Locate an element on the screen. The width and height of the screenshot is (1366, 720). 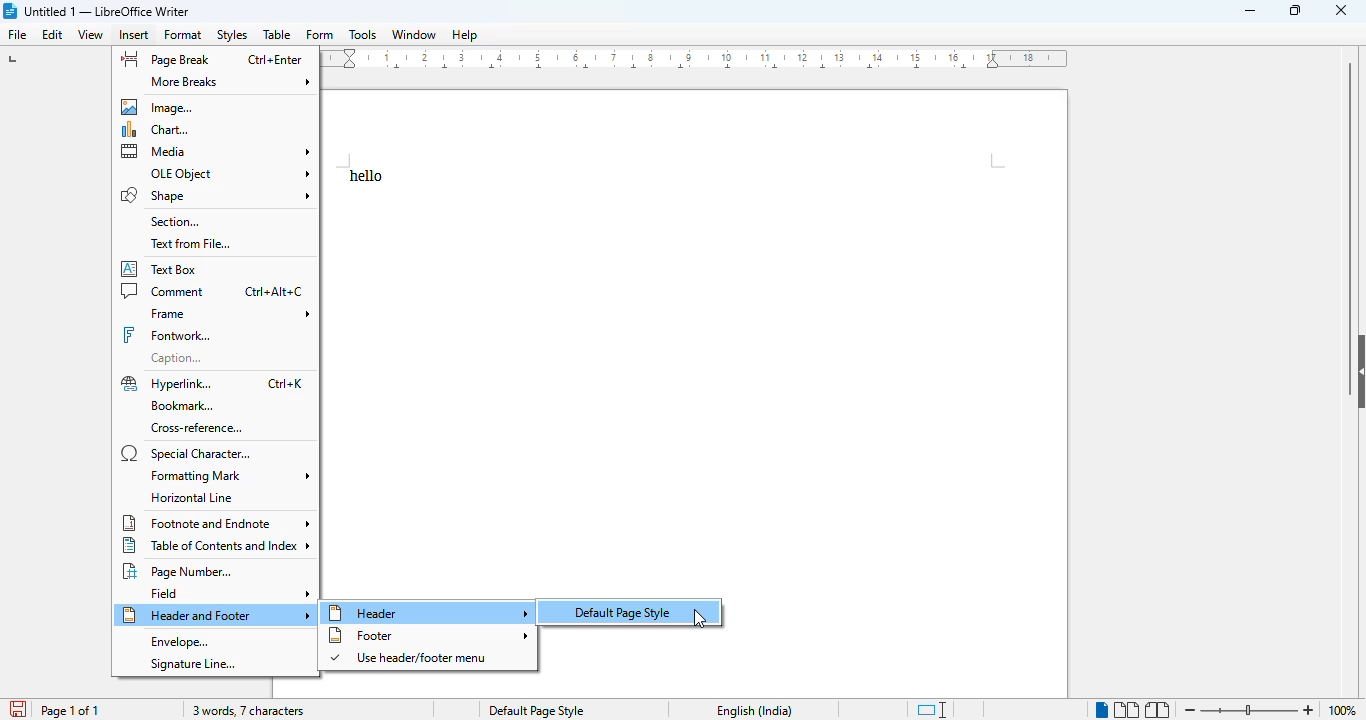
section is located at coordinates (176, 222).